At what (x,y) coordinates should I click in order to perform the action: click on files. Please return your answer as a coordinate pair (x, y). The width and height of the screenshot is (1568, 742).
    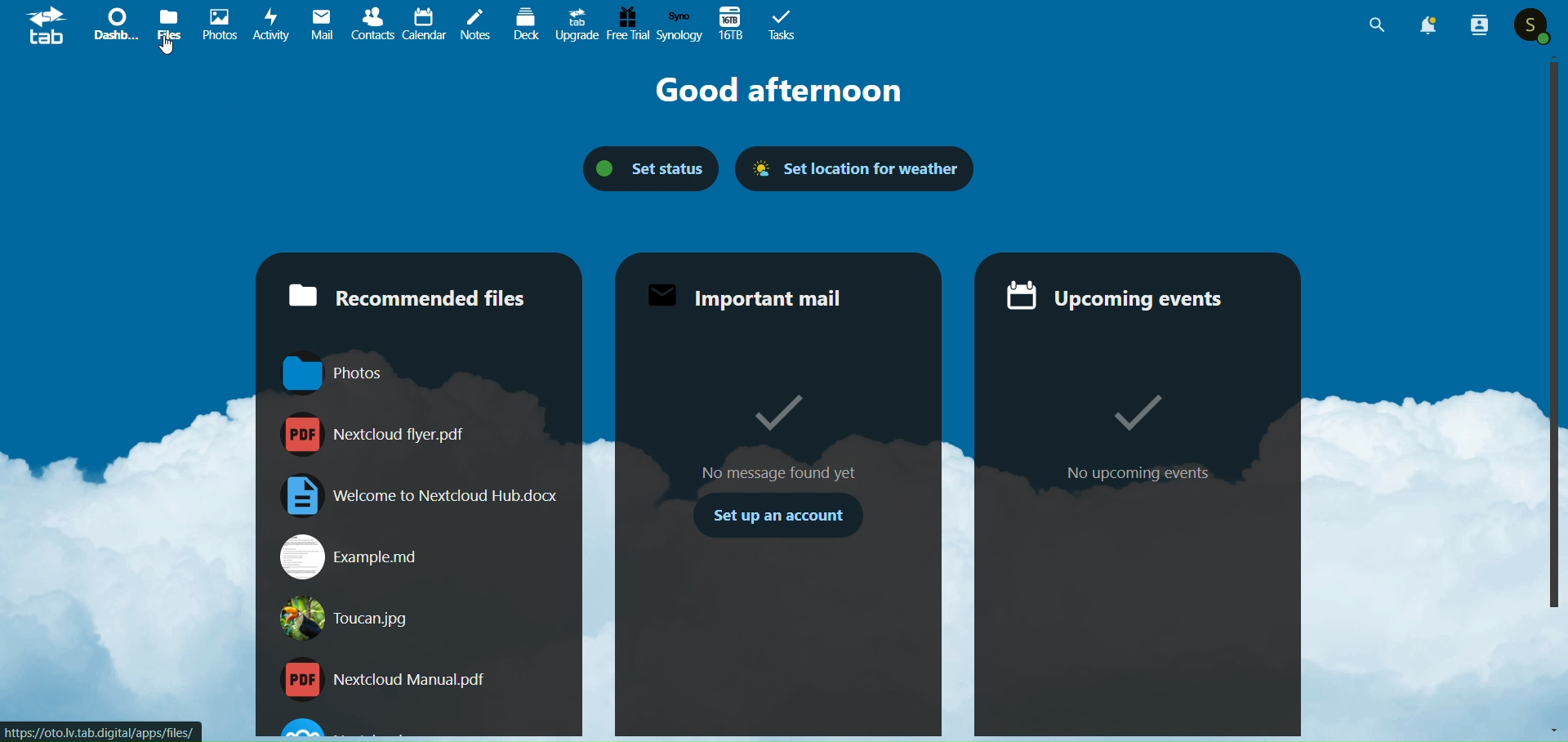
    Looking at the image, I should click on (171, 26).